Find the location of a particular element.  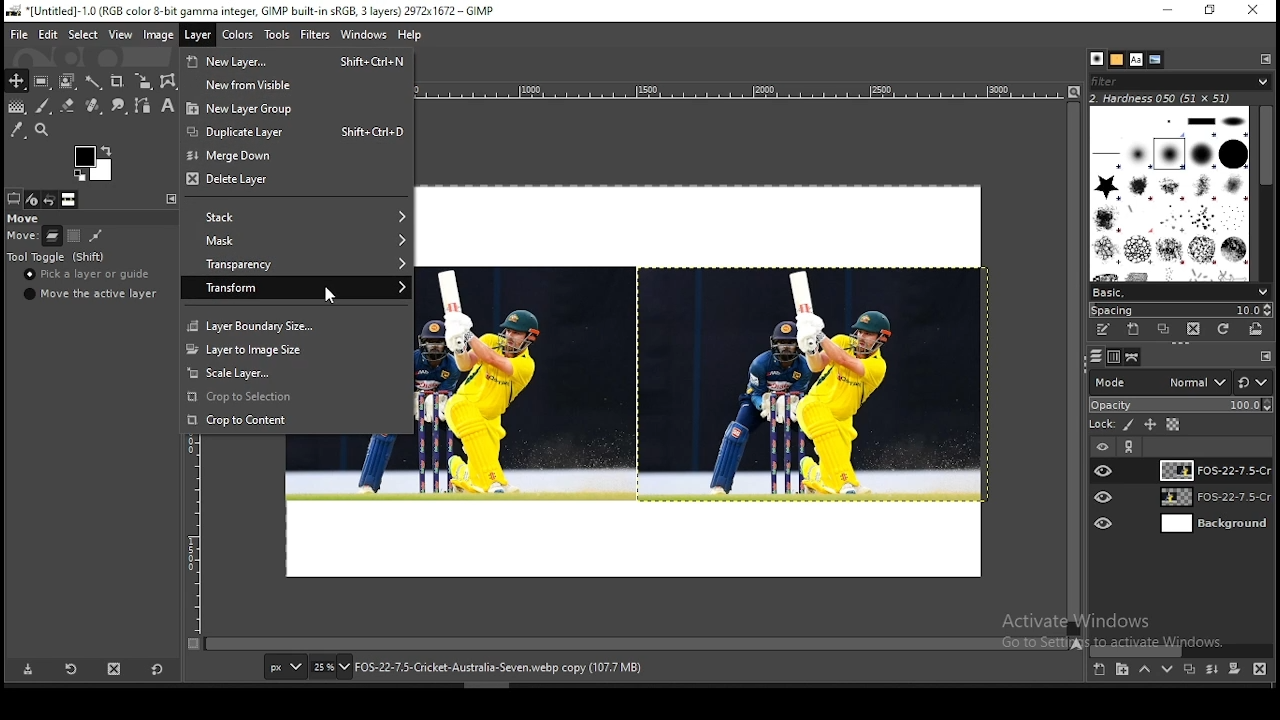

layers is located at coordinates (1094, 357).